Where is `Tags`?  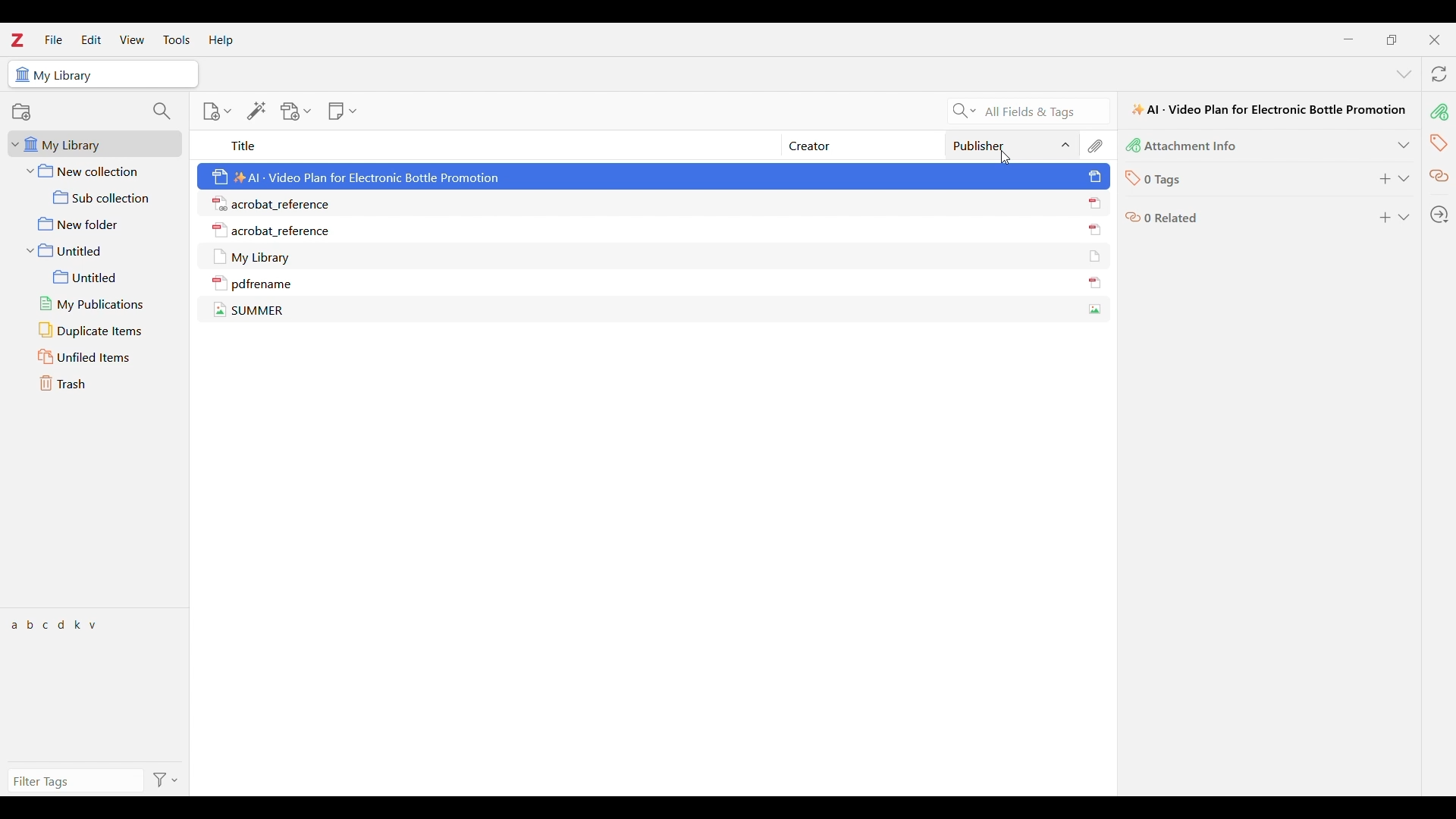 Tags is located at coordinates (1437, 143).